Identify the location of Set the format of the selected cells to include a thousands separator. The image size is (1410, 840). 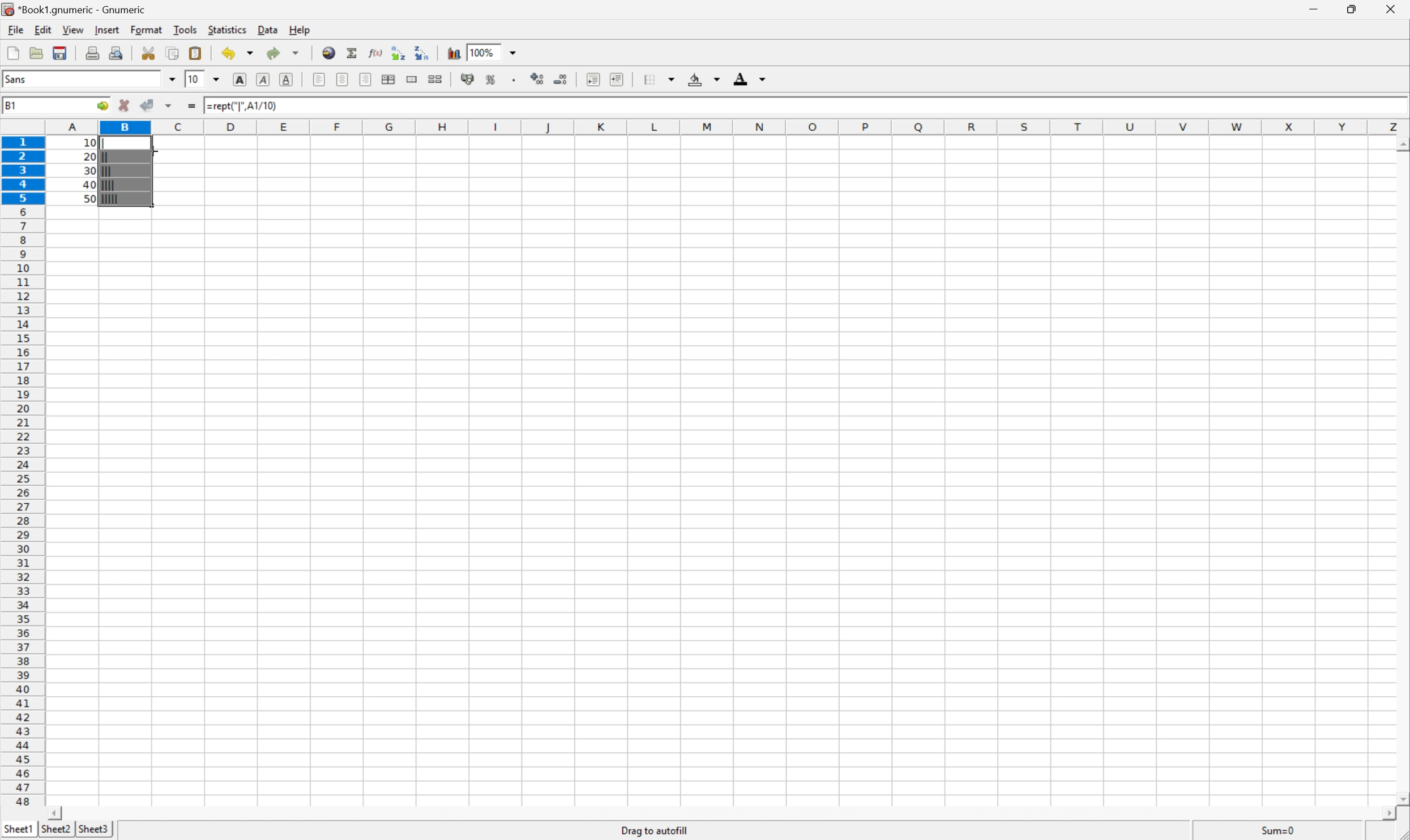
(510, 80).